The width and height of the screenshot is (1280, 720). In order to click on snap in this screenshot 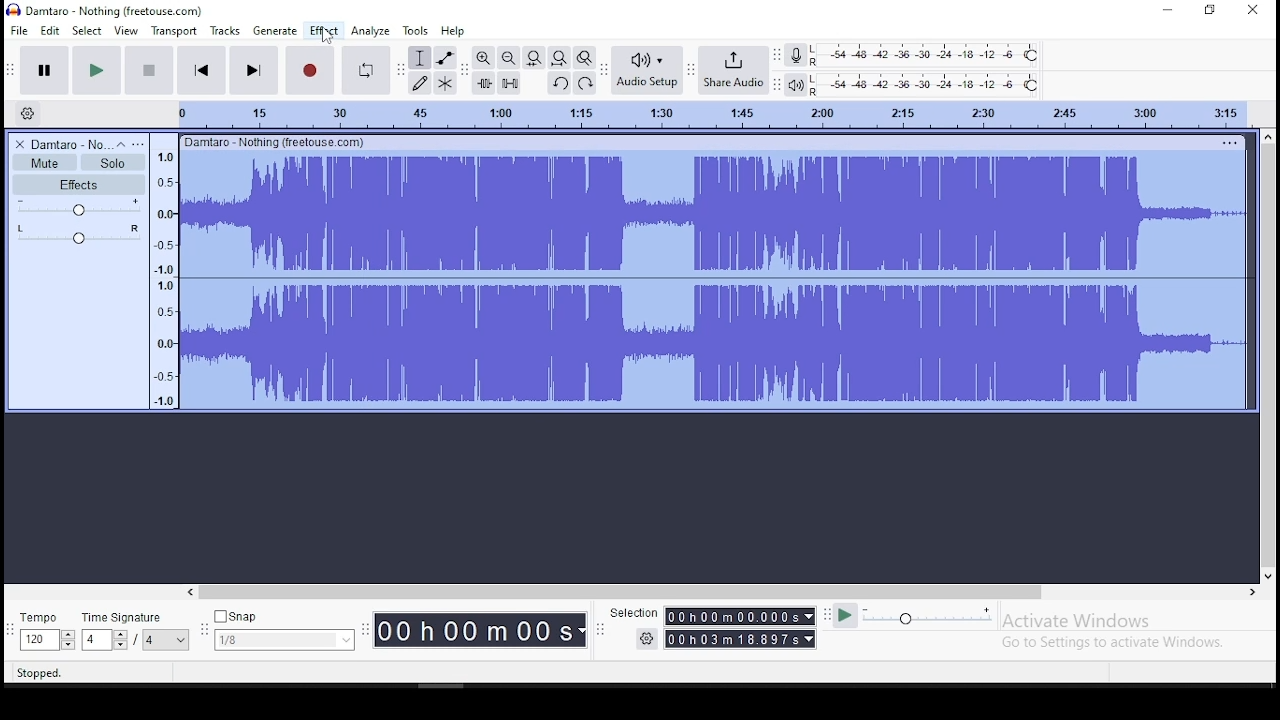, I will do `click(285, 615)`.